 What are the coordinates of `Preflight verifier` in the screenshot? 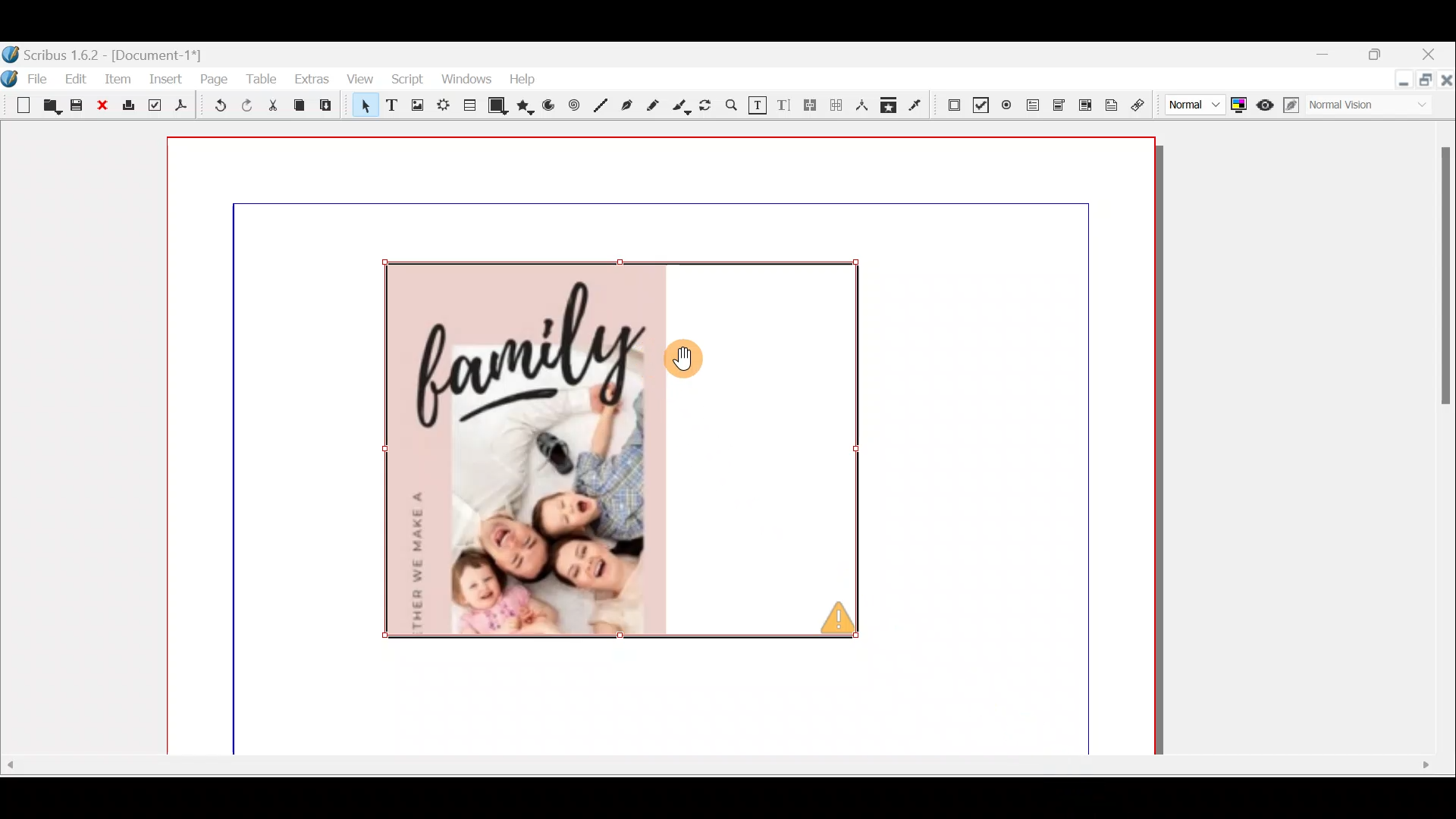 It's located at (153, 105).